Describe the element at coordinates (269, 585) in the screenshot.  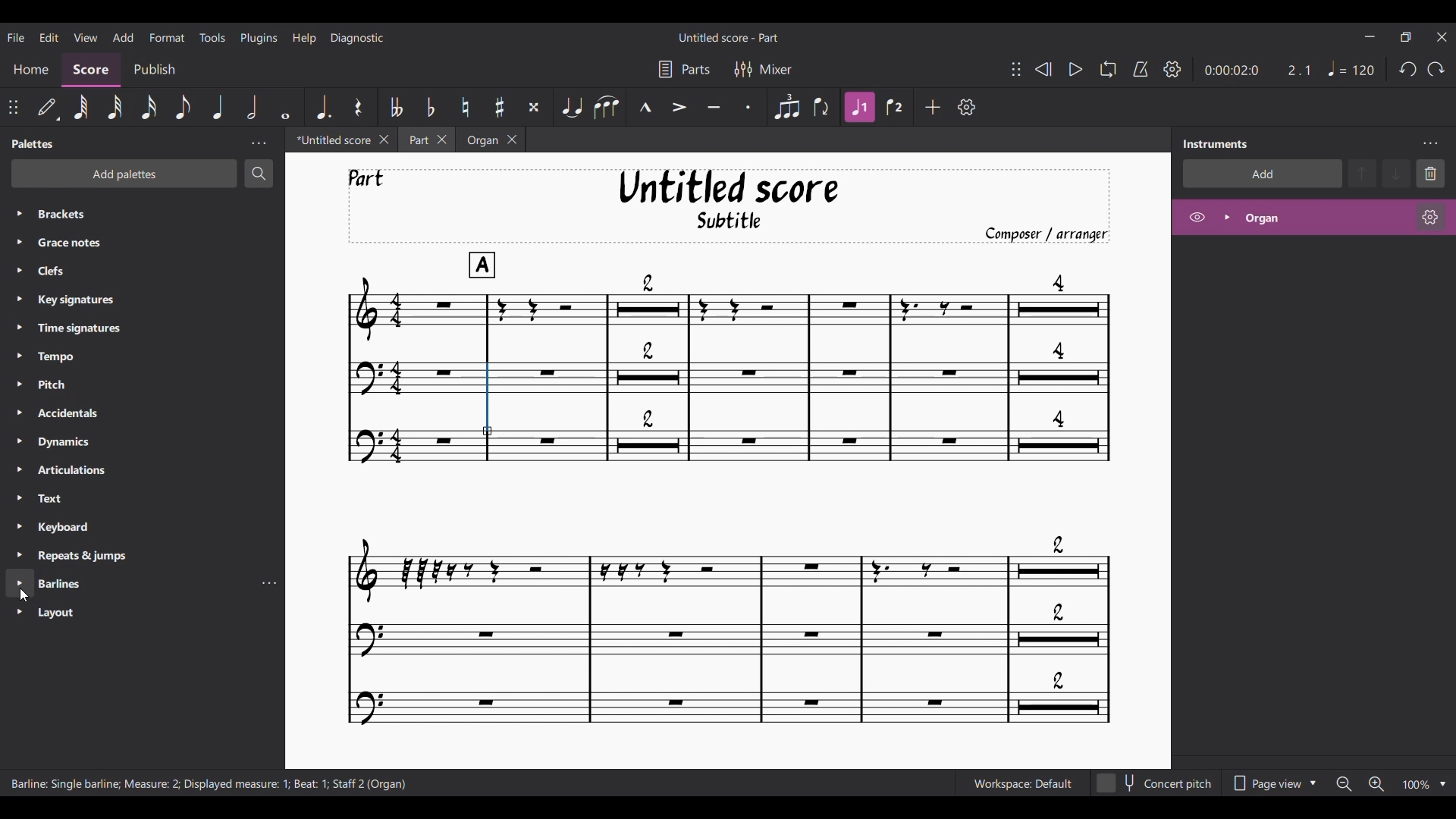
I see `Barline palette settings` at that location.